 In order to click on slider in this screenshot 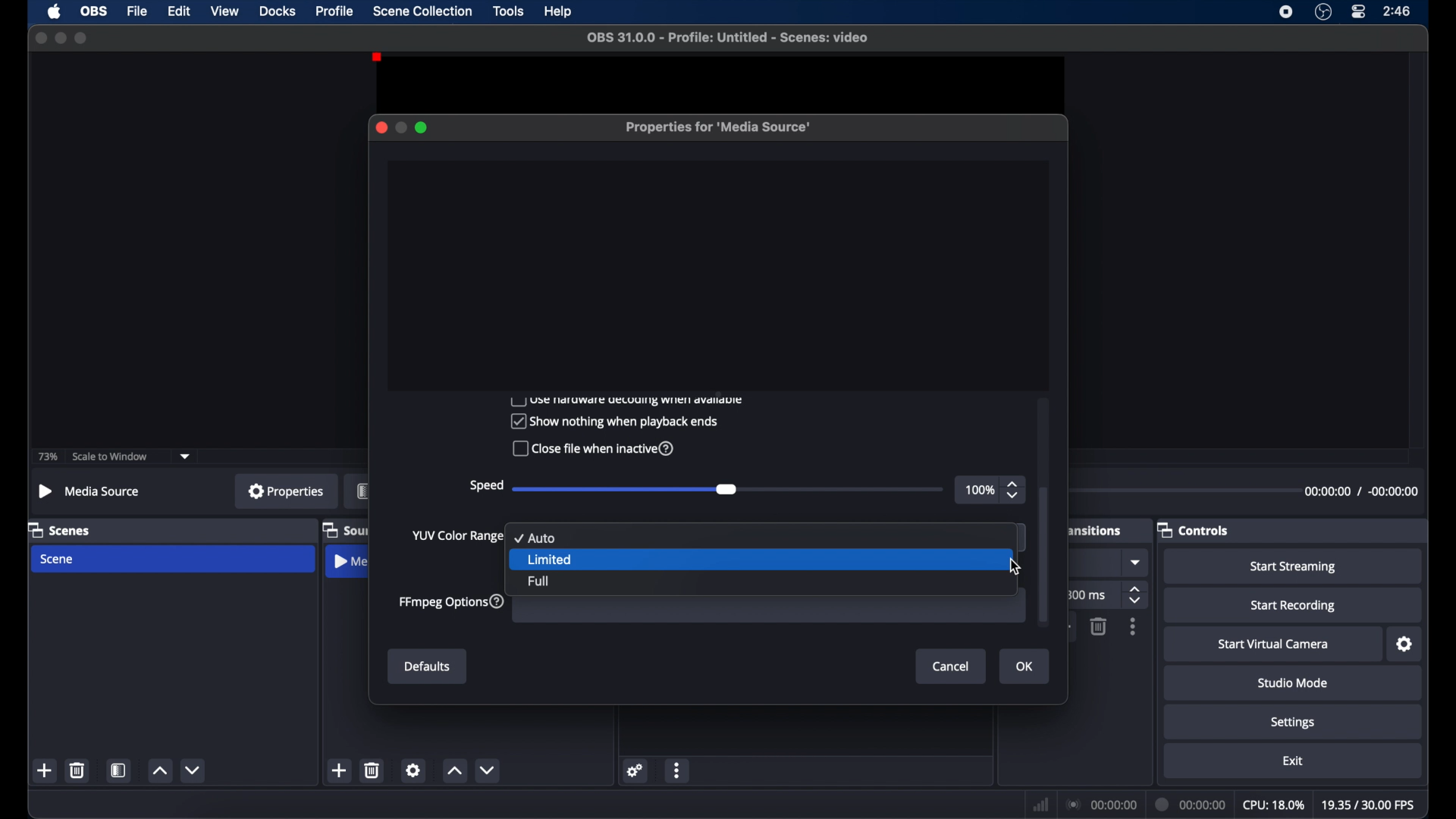, I will do `click(629, 491)`.